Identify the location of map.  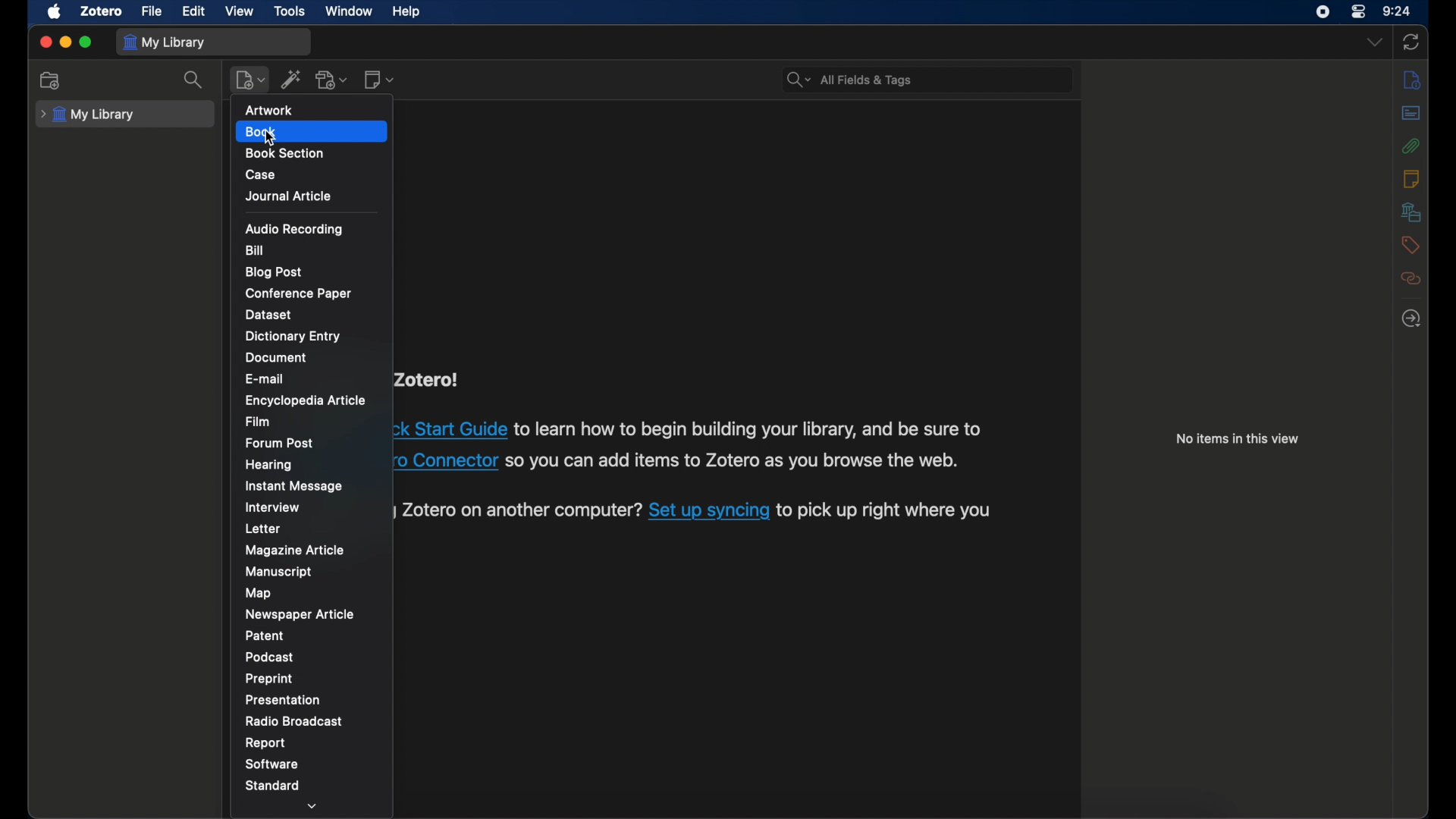
(259, 593).